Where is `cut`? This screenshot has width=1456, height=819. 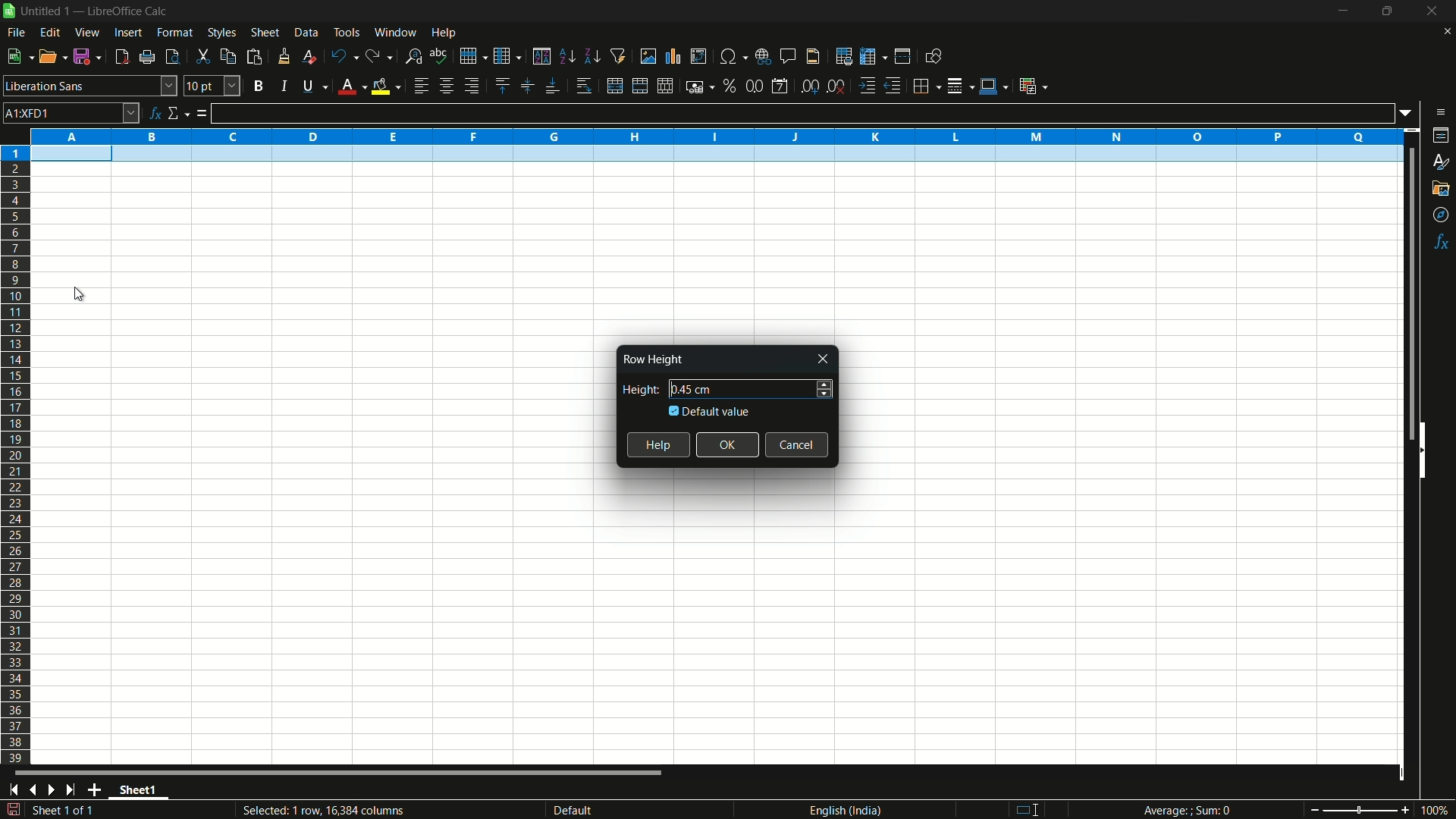 cut is located at coordinates (202, 56).